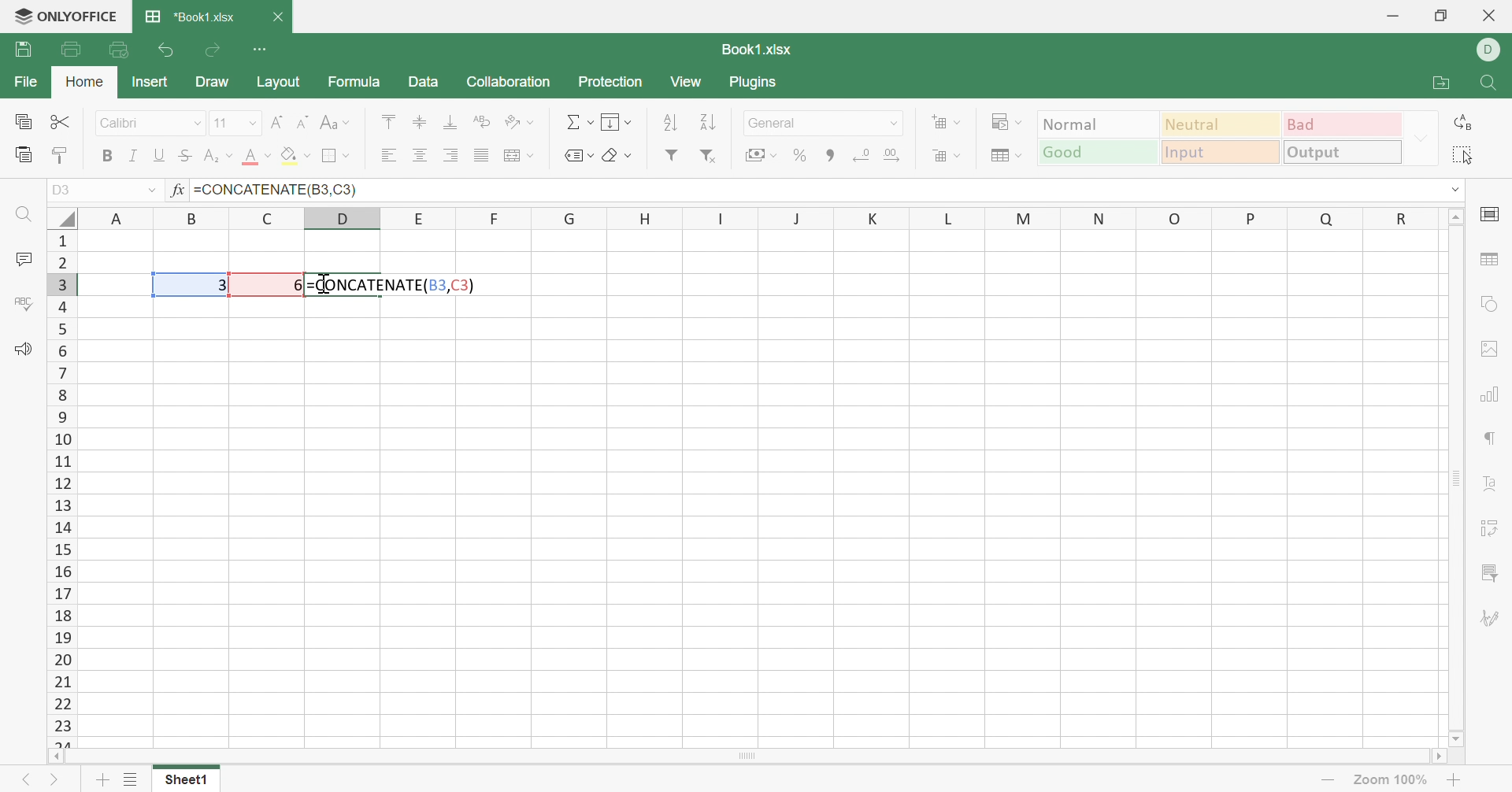 This screenshot has height=792, width=1512. I want to click on Normal, so click(1099, 126).